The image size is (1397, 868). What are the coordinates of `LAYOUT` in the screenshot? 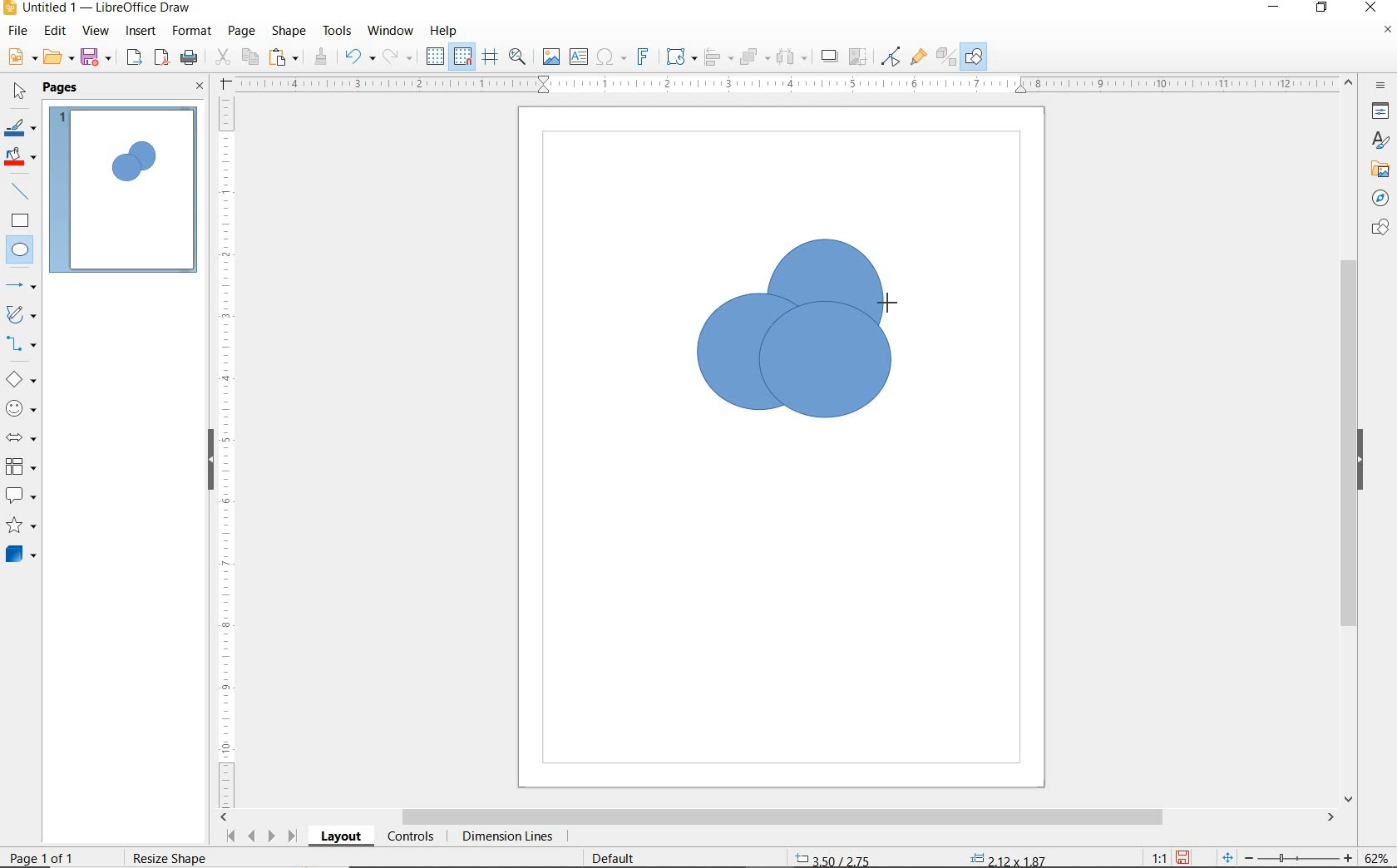 It's located at (340, 839).